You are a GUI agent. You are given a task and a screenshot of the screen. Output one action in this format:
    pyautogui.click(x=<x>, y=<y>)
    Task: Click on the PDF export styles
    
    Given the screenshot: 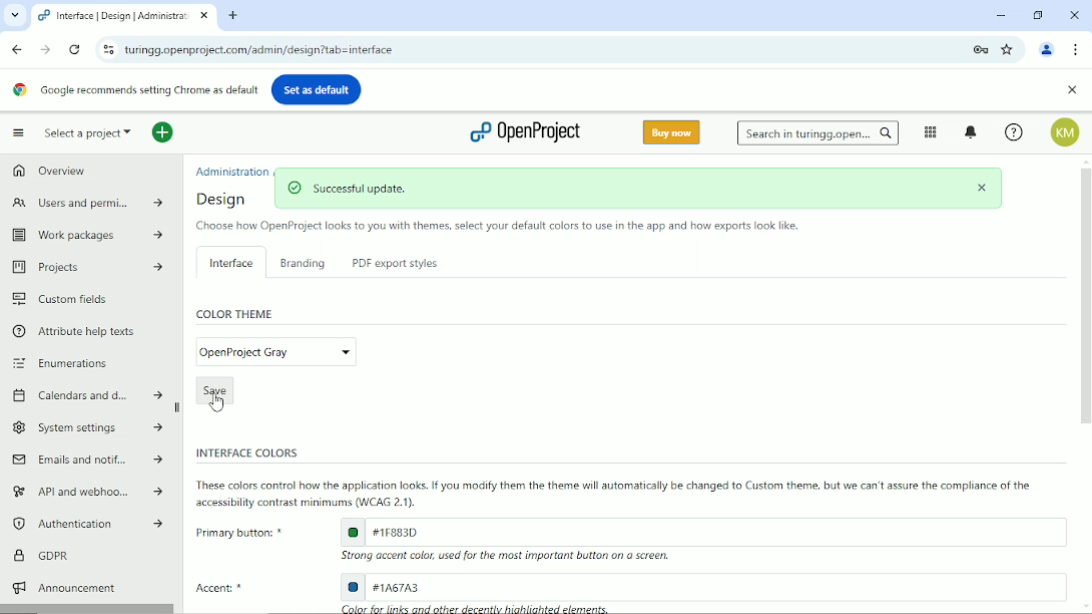 What is the action you would take?
    pyautogui.click(x=392, y=264)
    